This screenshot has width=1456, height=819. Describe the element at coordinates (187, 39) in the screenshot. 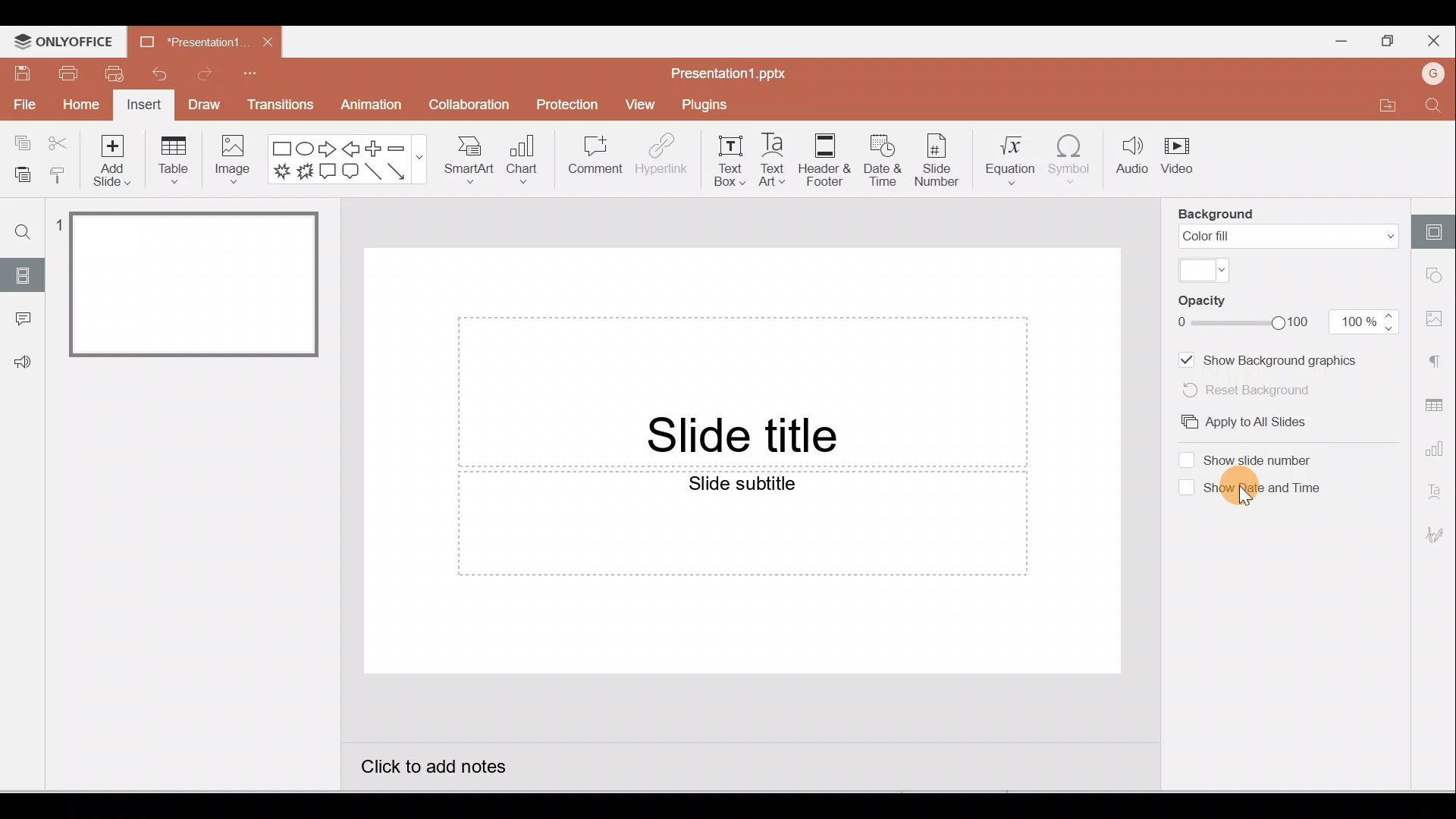

I see `Document name` at that location.